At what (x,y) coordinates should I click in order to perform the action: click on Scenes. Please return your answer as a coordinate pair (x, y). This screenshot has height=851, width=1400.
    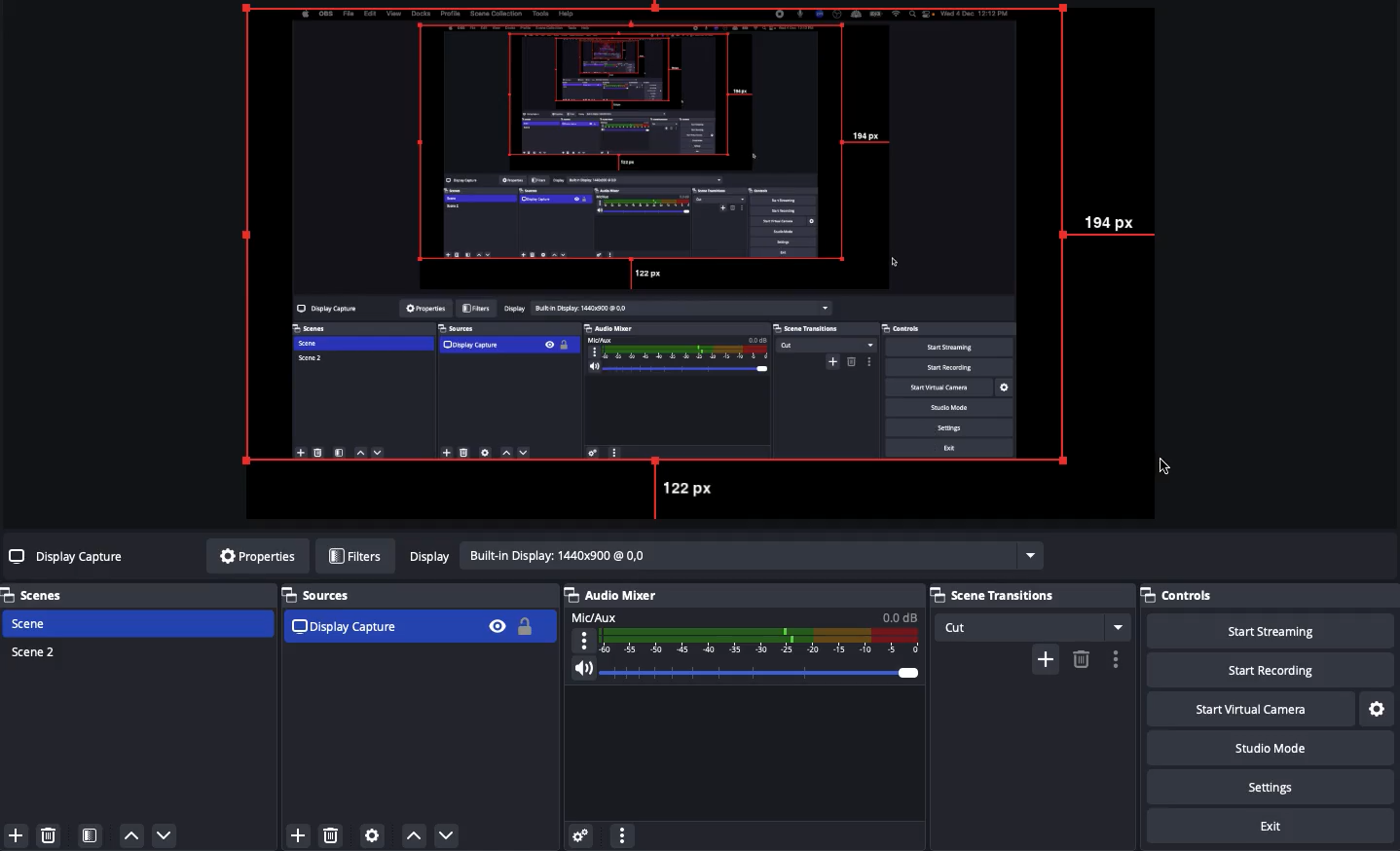
    Looking at the image, I should click on (44, 595).